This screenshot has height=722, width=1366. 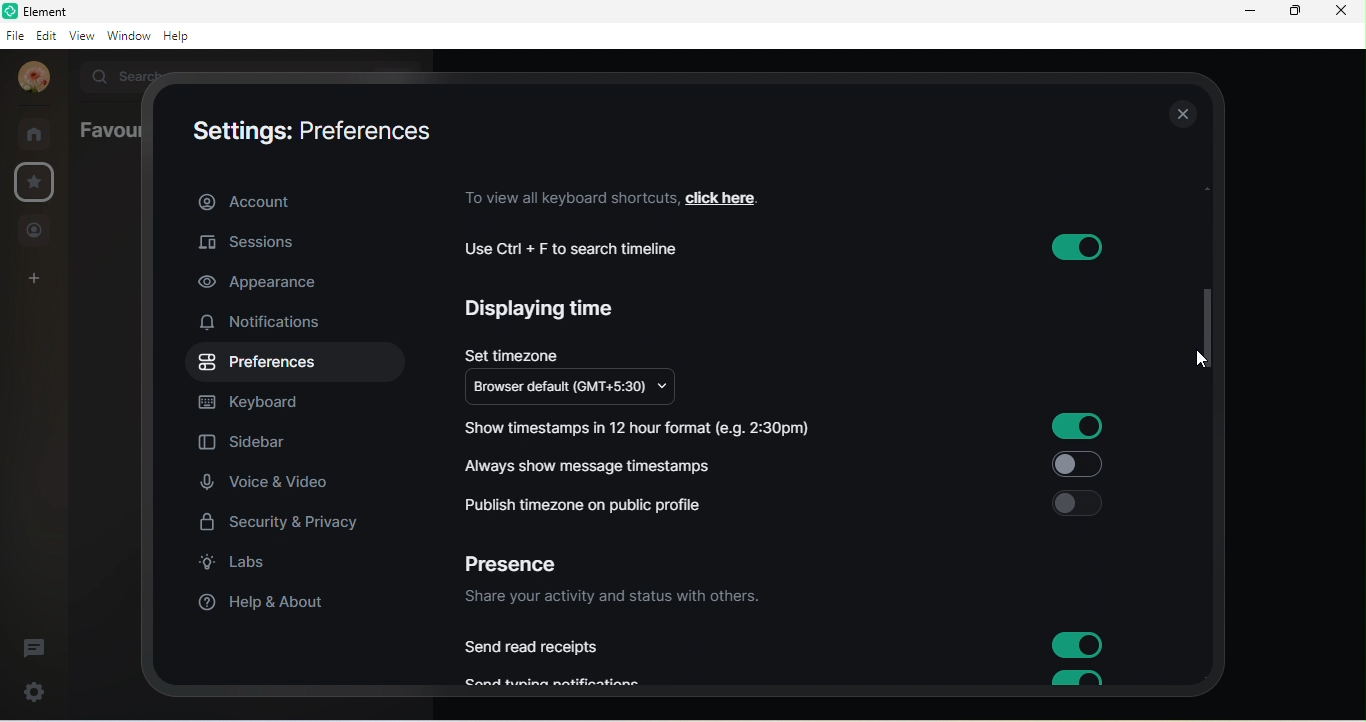 What do you see at coordinates (1076, 465) in the screenshot?
I see `button` at bounding box center [1076, 465].